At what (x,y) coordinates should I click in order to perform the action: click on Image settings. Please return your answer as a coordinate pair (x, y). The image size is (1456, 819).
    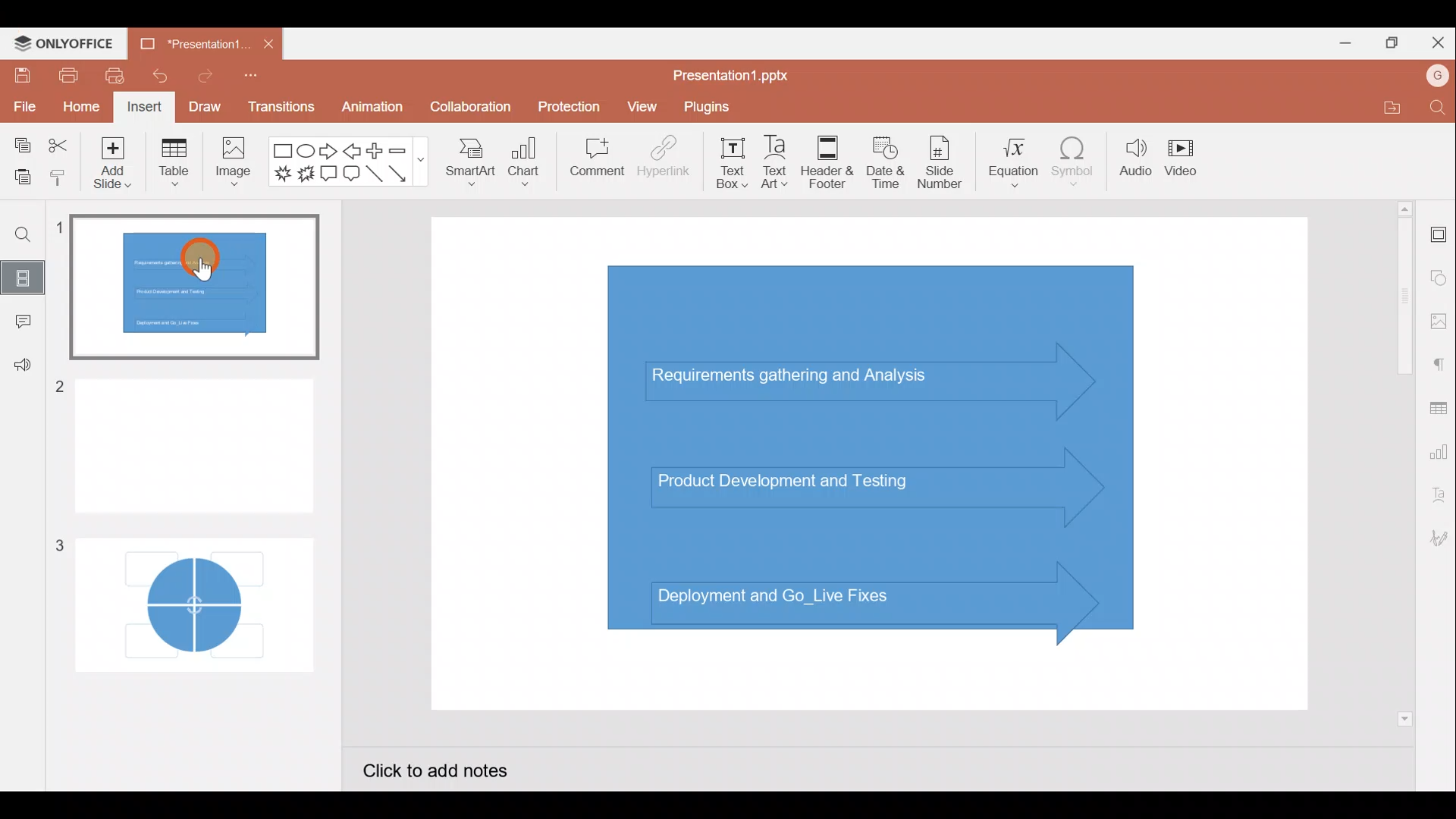
    Looking at the image, I should click on (1437, 318).